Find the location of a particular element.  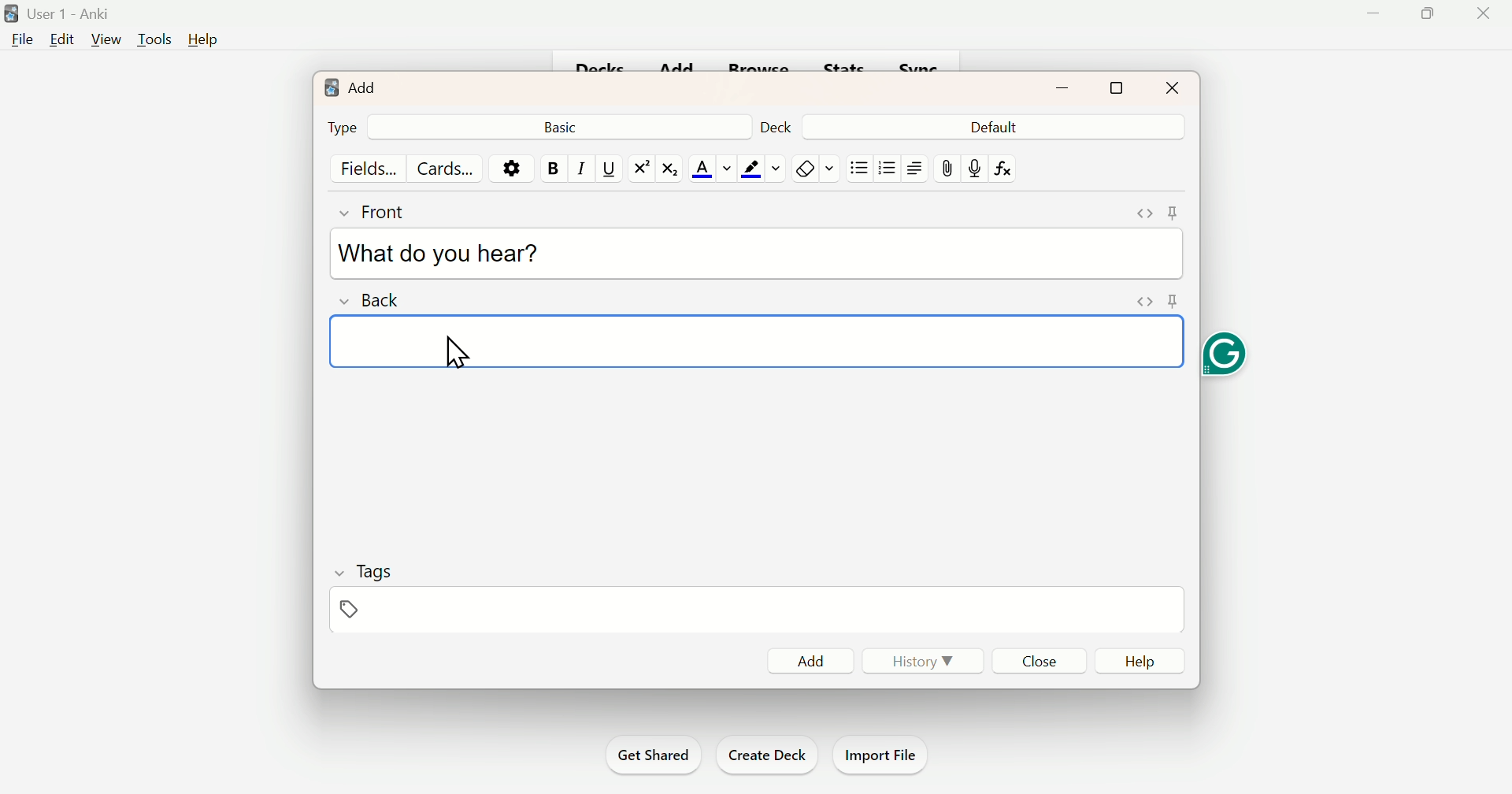

Deck is located at coordinates (774, 128).